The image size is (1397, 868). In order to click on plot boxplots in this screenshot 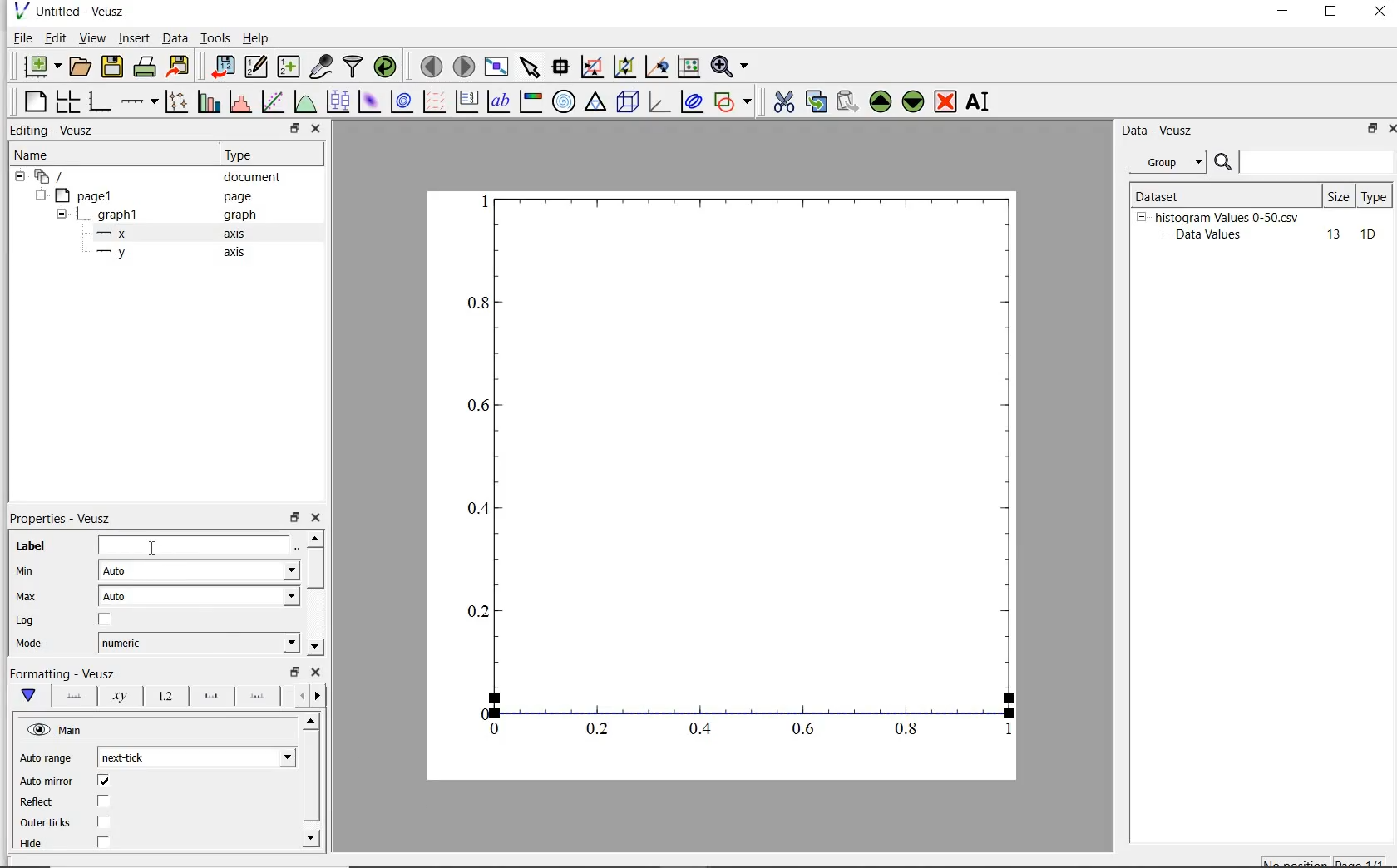, I will do `click(338, 101)`.